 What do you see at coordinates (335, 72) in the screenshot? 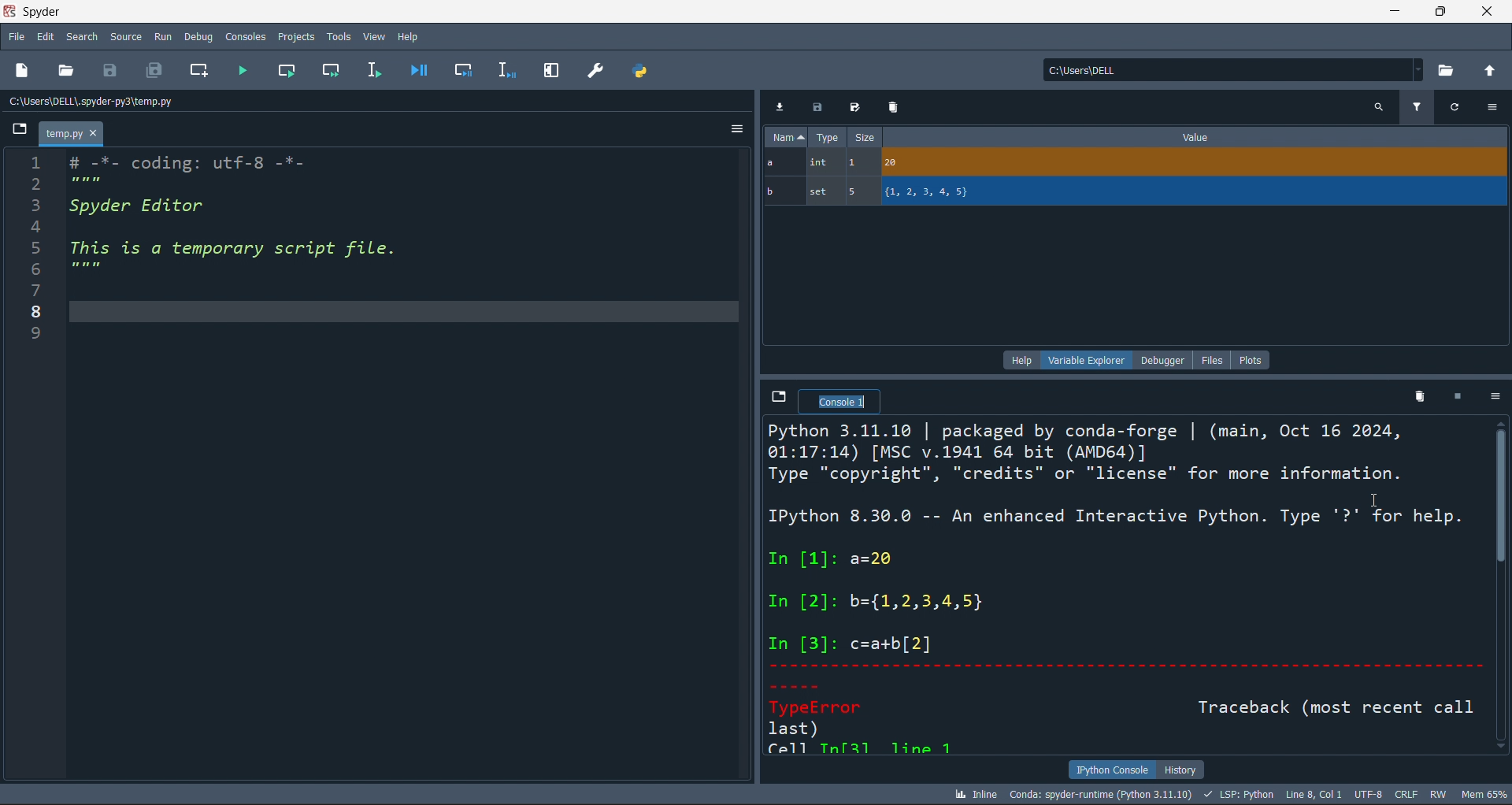
I see `run cell` at bounding box center [335, 72].